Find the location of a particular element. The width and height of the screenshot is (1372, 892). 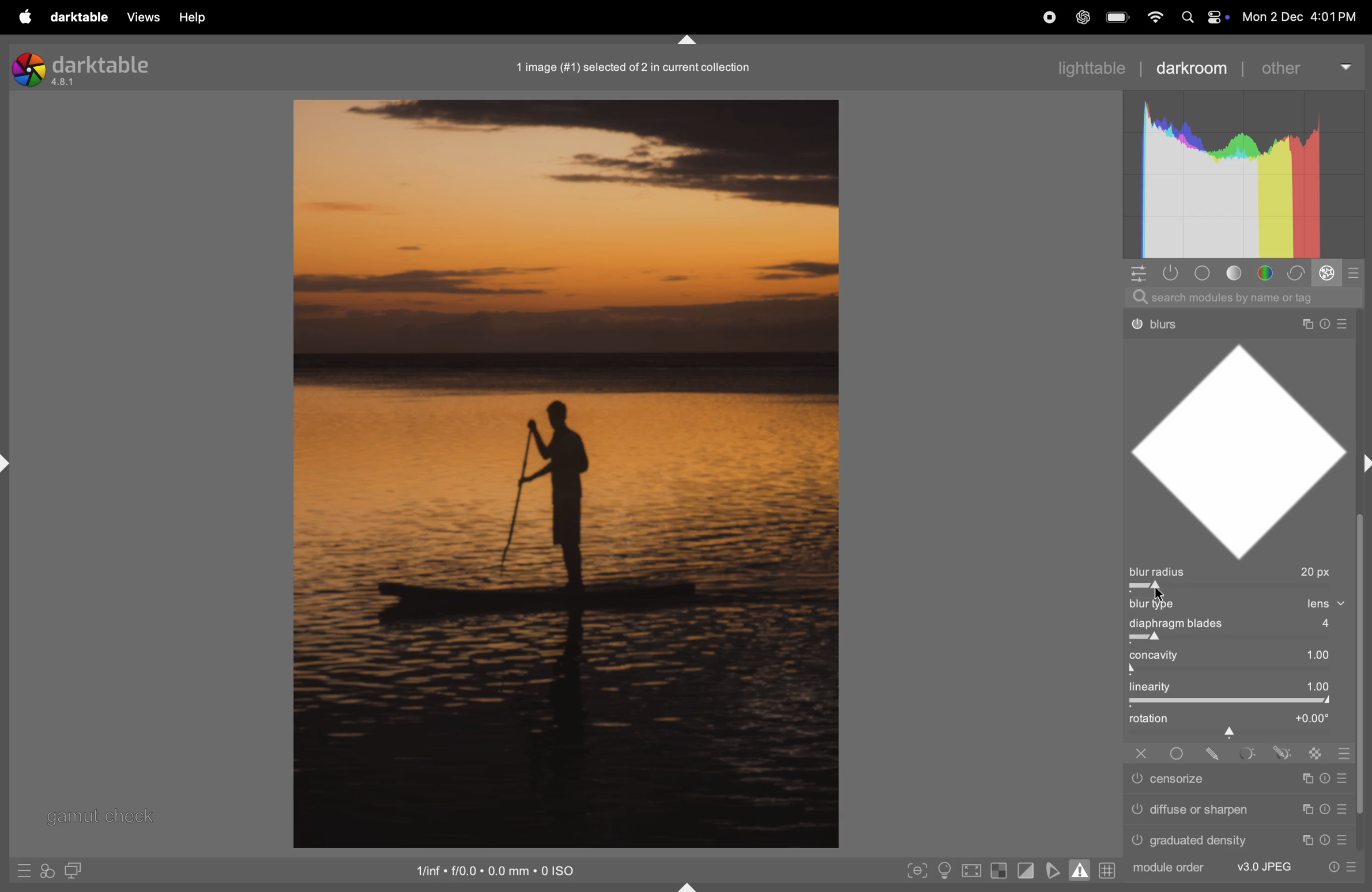

toggle bar is located at coordinates (1243, 671).